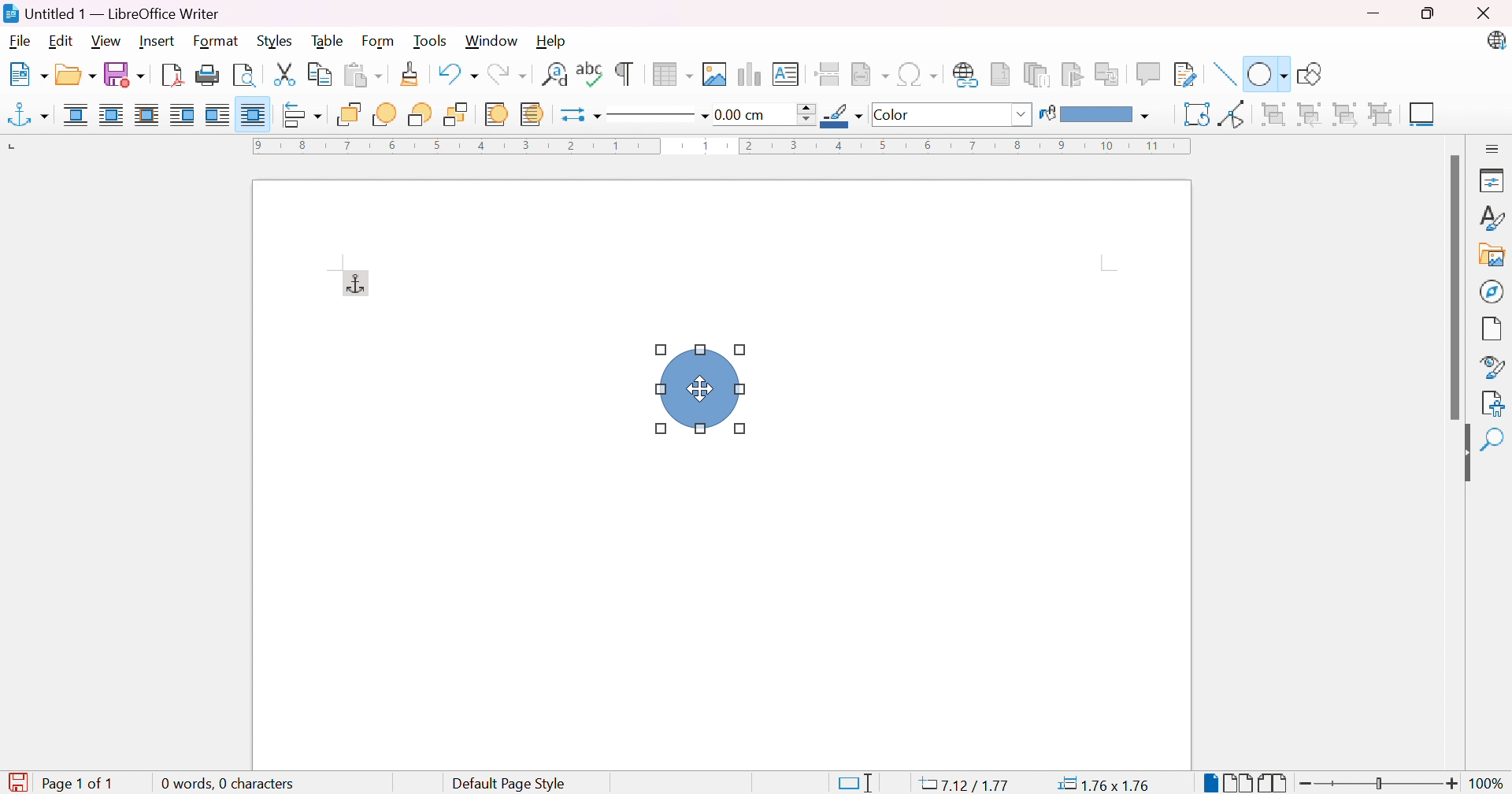  Describe the element at coordinates (111, 13) in the screenshot. I see `Untitled 1 - LibreOffice Writer` at that location.